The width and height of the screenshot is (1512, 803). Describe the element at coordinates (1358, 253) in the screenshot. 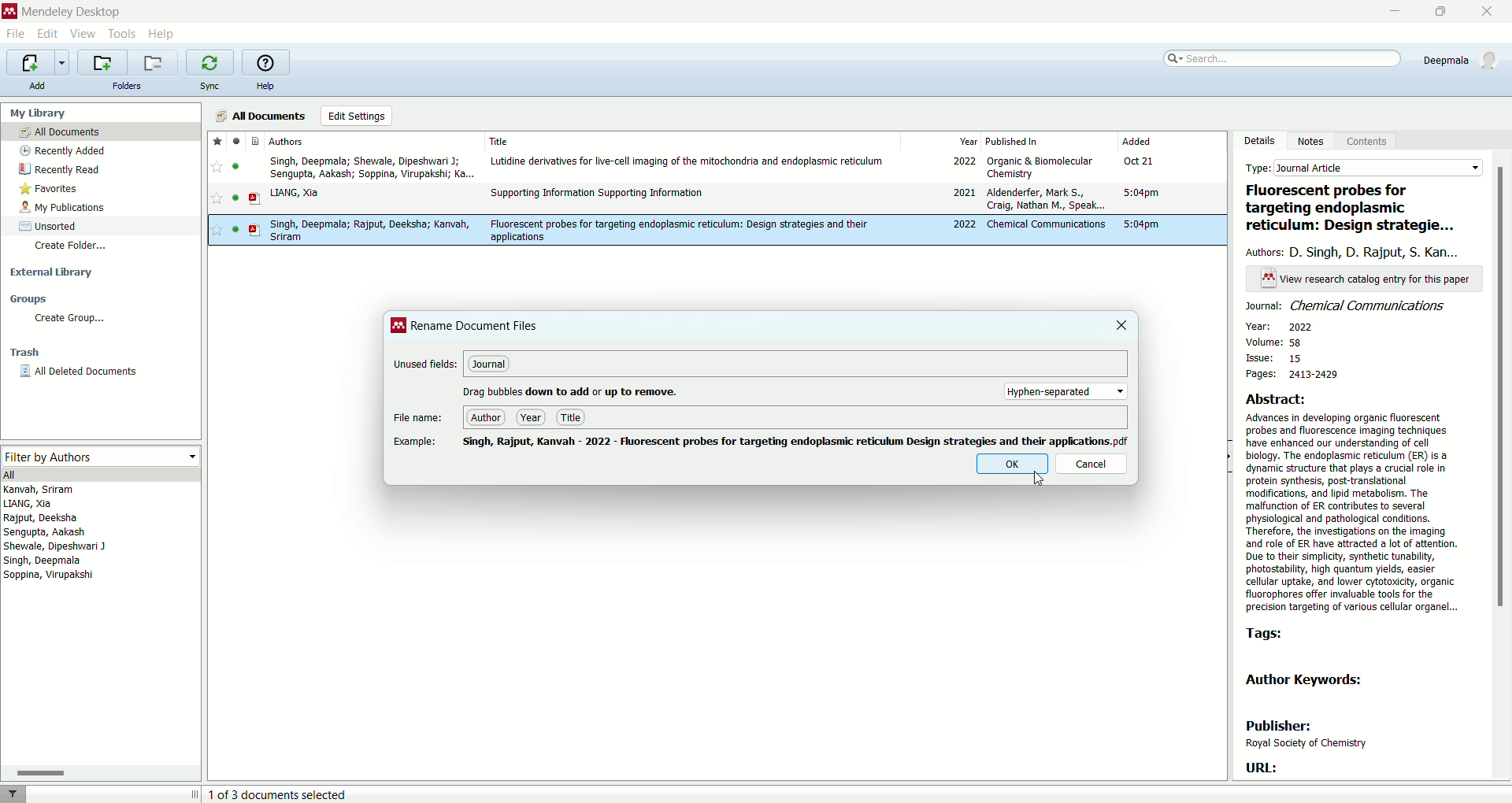

I see `authors` at that location.